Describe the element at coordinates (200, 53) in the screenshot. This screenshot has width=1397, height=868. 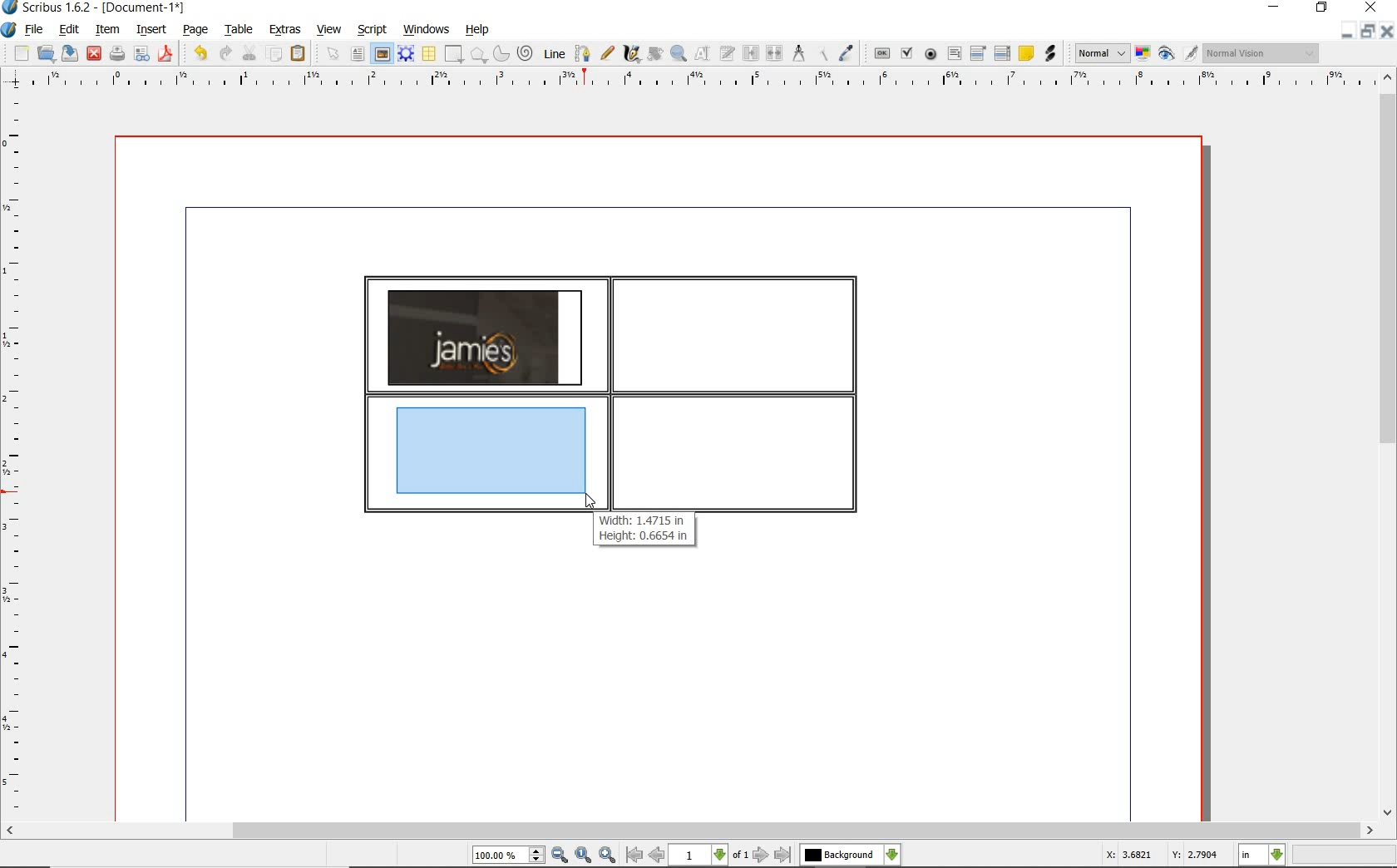
I see `undo` at that location.